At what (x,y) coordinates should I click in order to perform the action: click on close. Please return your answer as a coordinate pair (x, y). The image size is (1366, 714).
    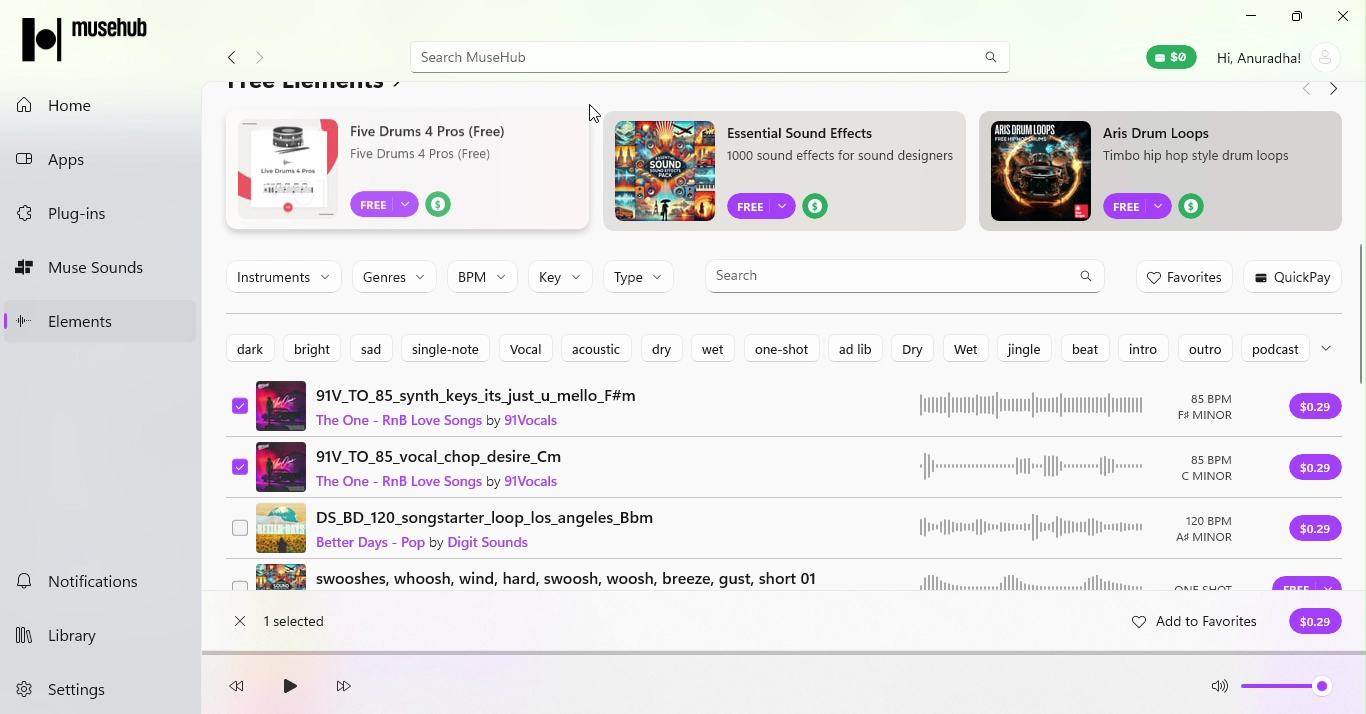
    Looking at the image, I should click on (1339, 16).